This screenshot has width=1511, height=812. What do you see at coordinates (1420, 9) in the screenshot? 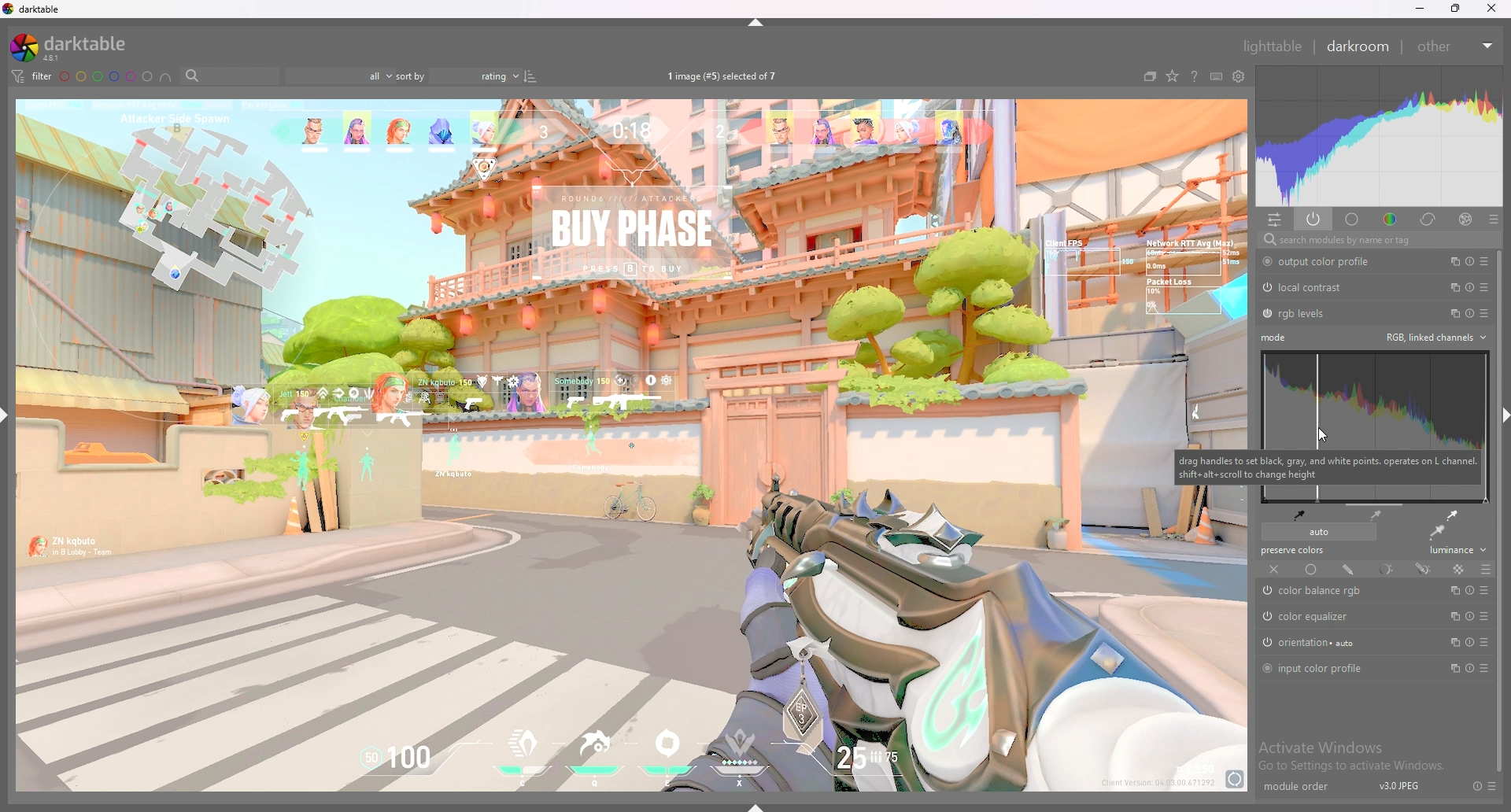
I see `minimize` at bounding box center [1420, 9].